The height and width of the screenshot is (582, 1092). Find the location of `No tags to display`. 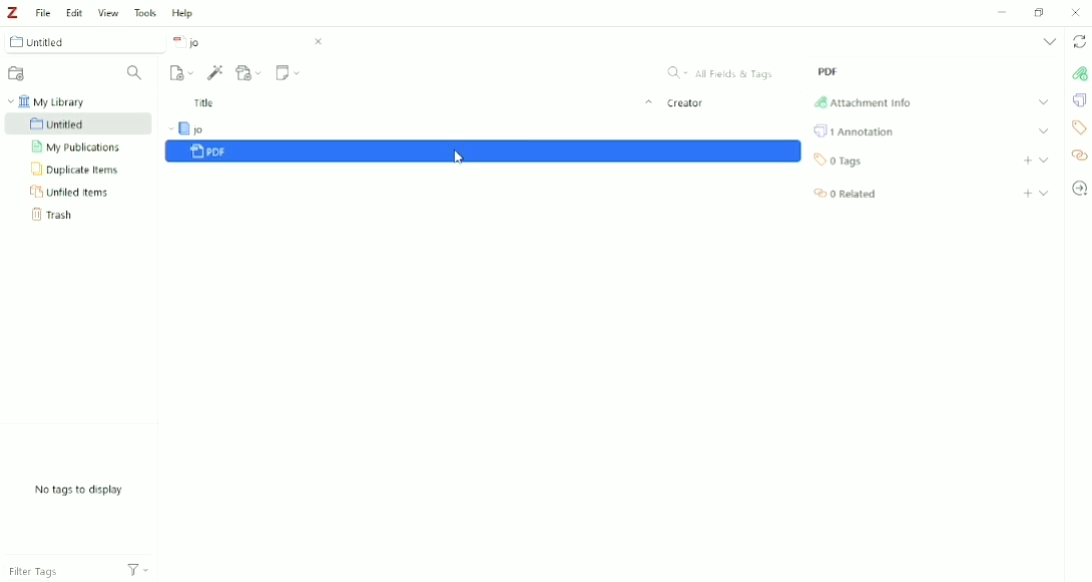

No tags to display is located at coordinates (78, 490).